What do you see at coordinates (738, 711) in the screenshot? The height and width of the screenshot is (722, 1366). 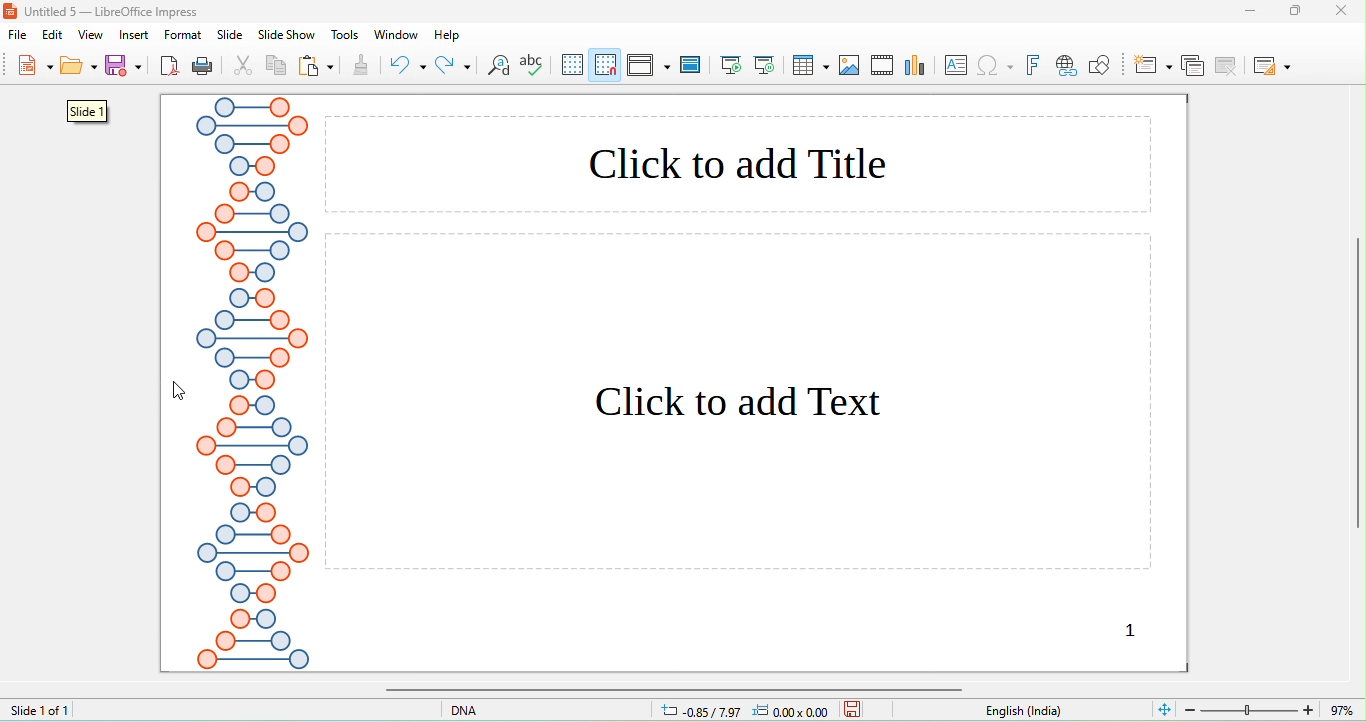 I see `cursor and object position` at bounding box center [738, 711].